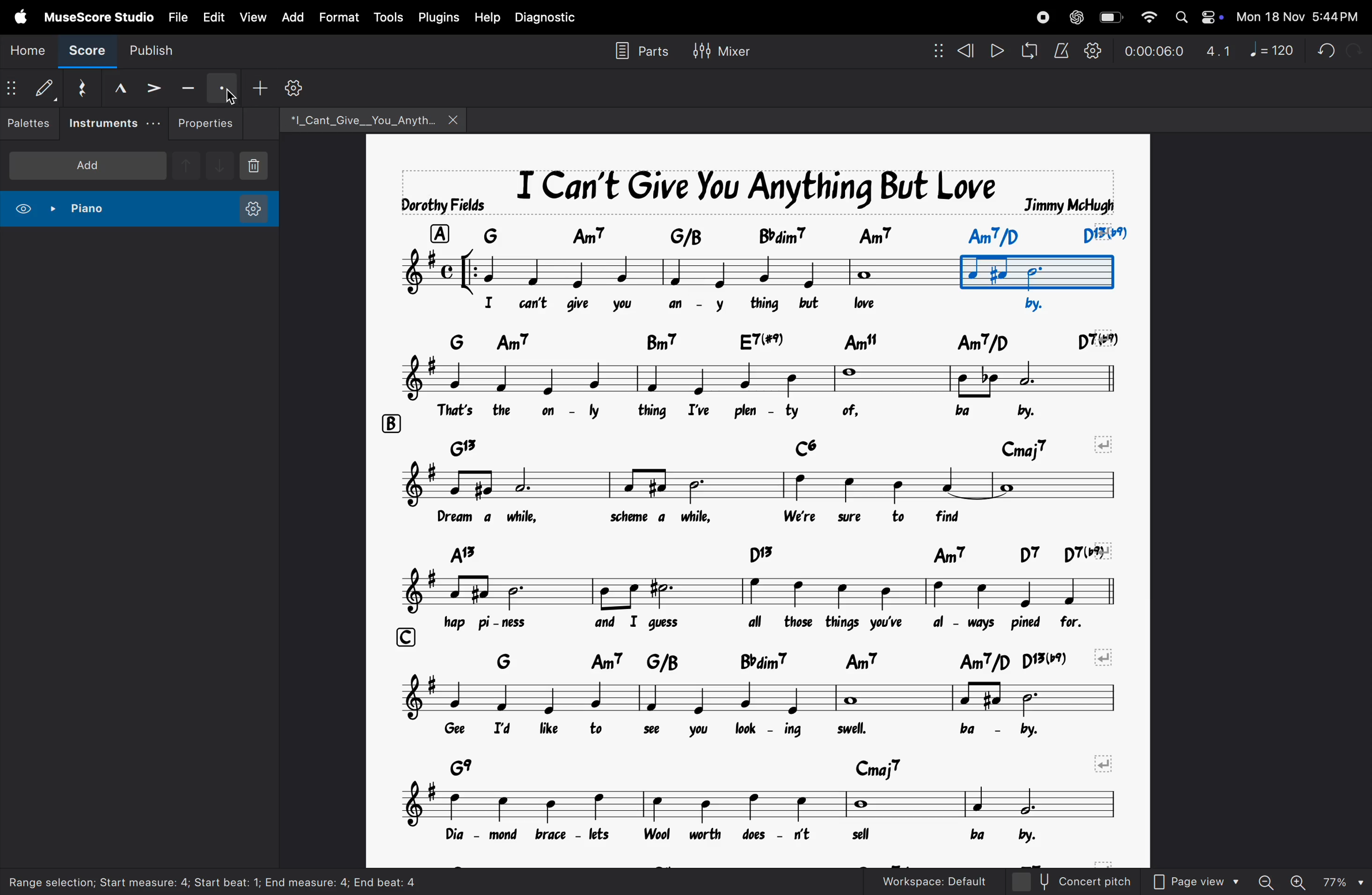 This screenshot has height=895, width=1372. I want to click on workspace default, so click(926, 881).